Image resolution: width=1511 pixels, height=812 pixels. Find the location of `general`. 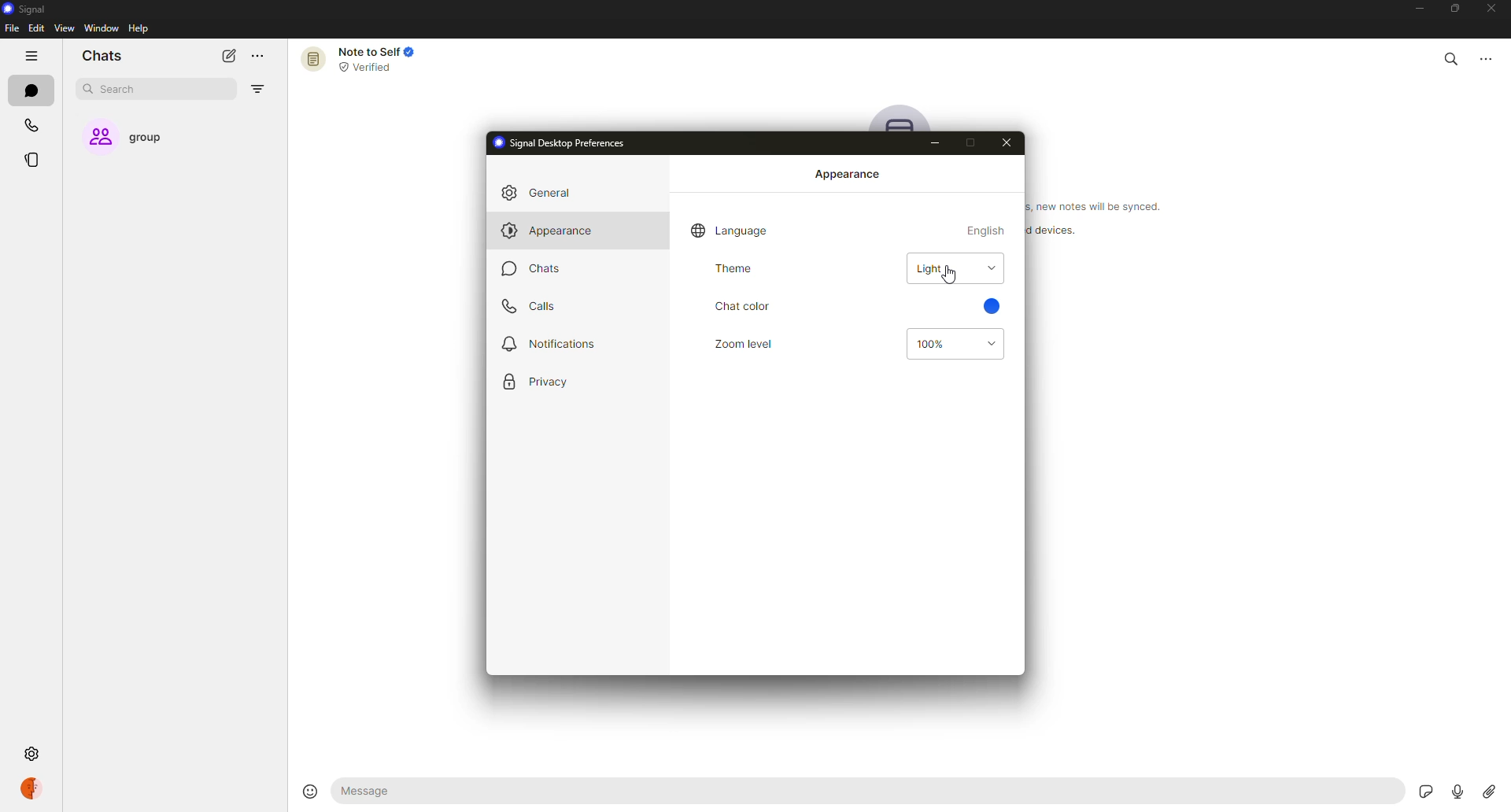

general is located at coordinates (543, 194).